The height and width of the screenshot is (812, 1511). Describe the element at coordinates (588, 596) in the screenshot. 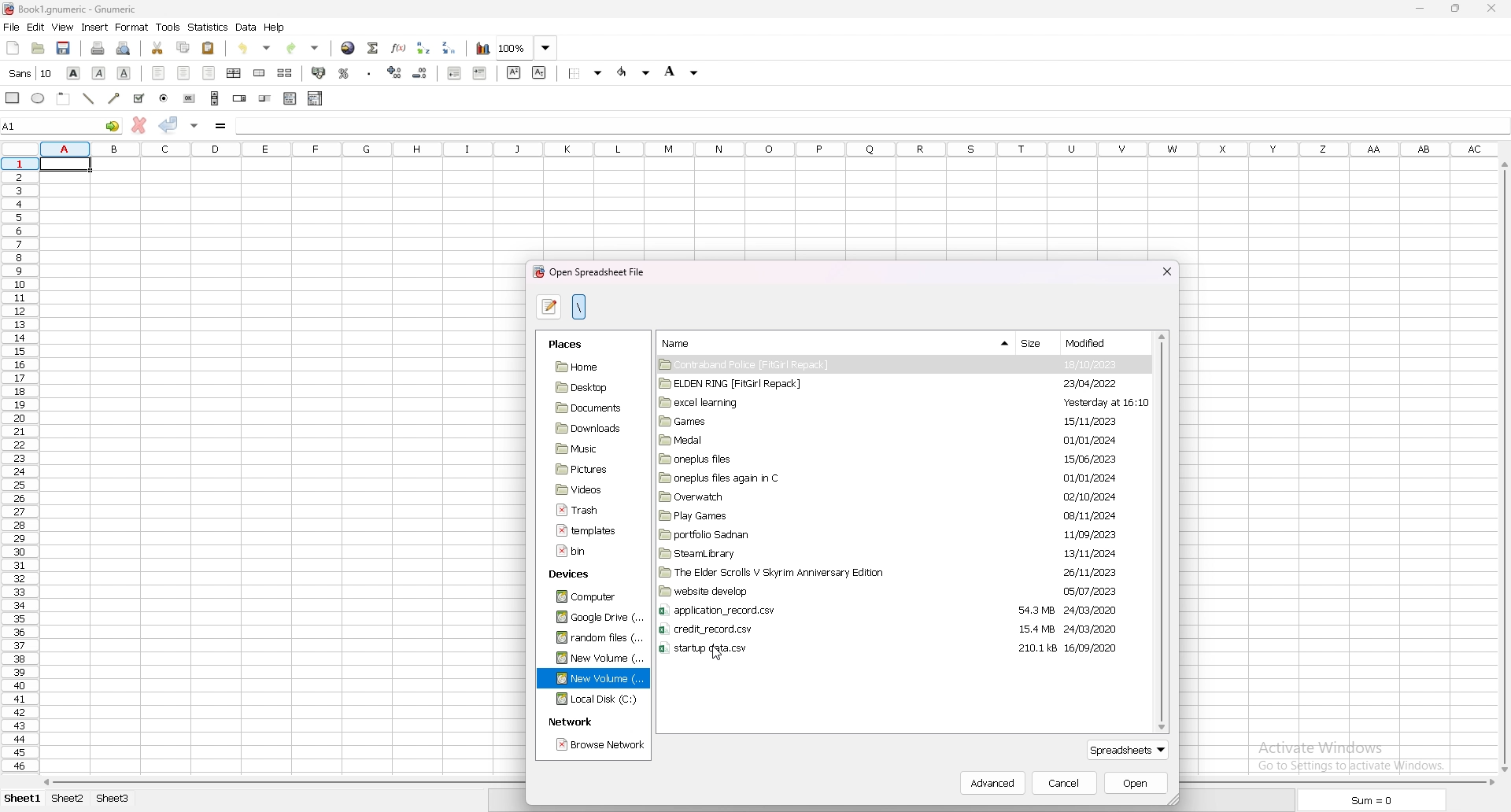

I see `folder` at that location.